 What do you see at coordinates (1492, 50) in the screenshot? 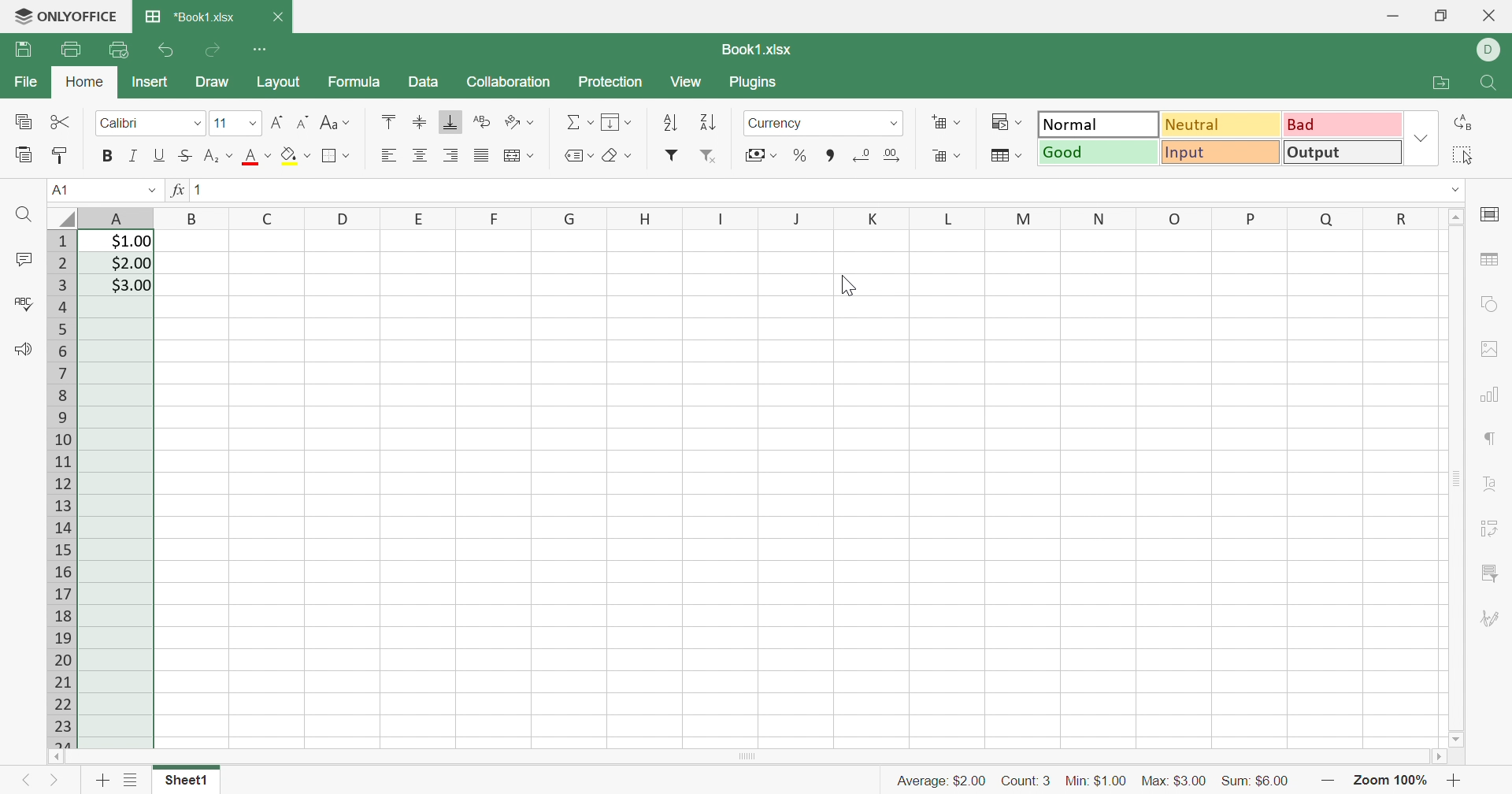
I see `DELL` at bounding box center [1492, 50].